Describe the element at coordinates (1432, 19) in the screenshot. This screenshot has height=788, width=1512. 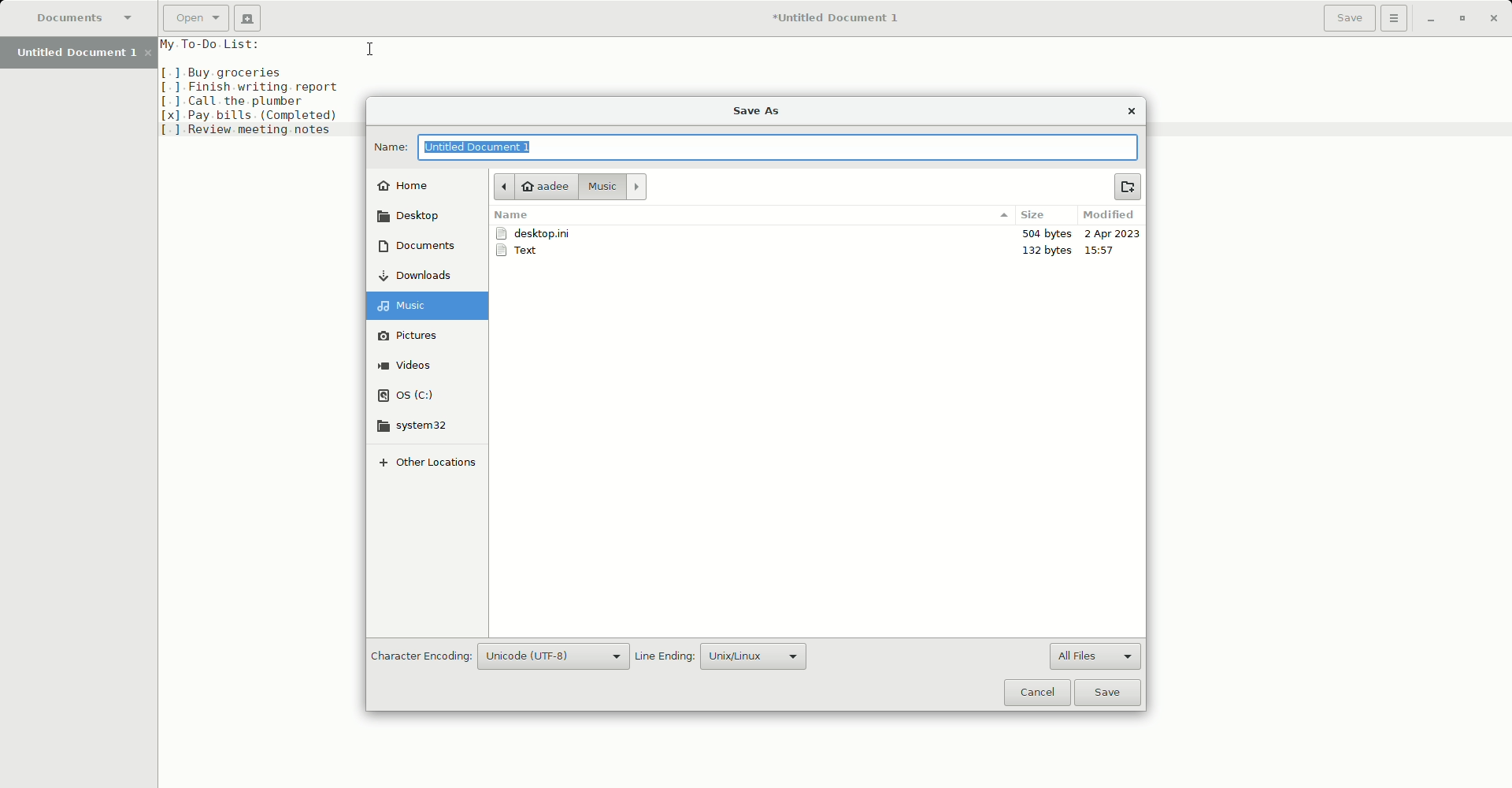
I see `Minimize` at that location.